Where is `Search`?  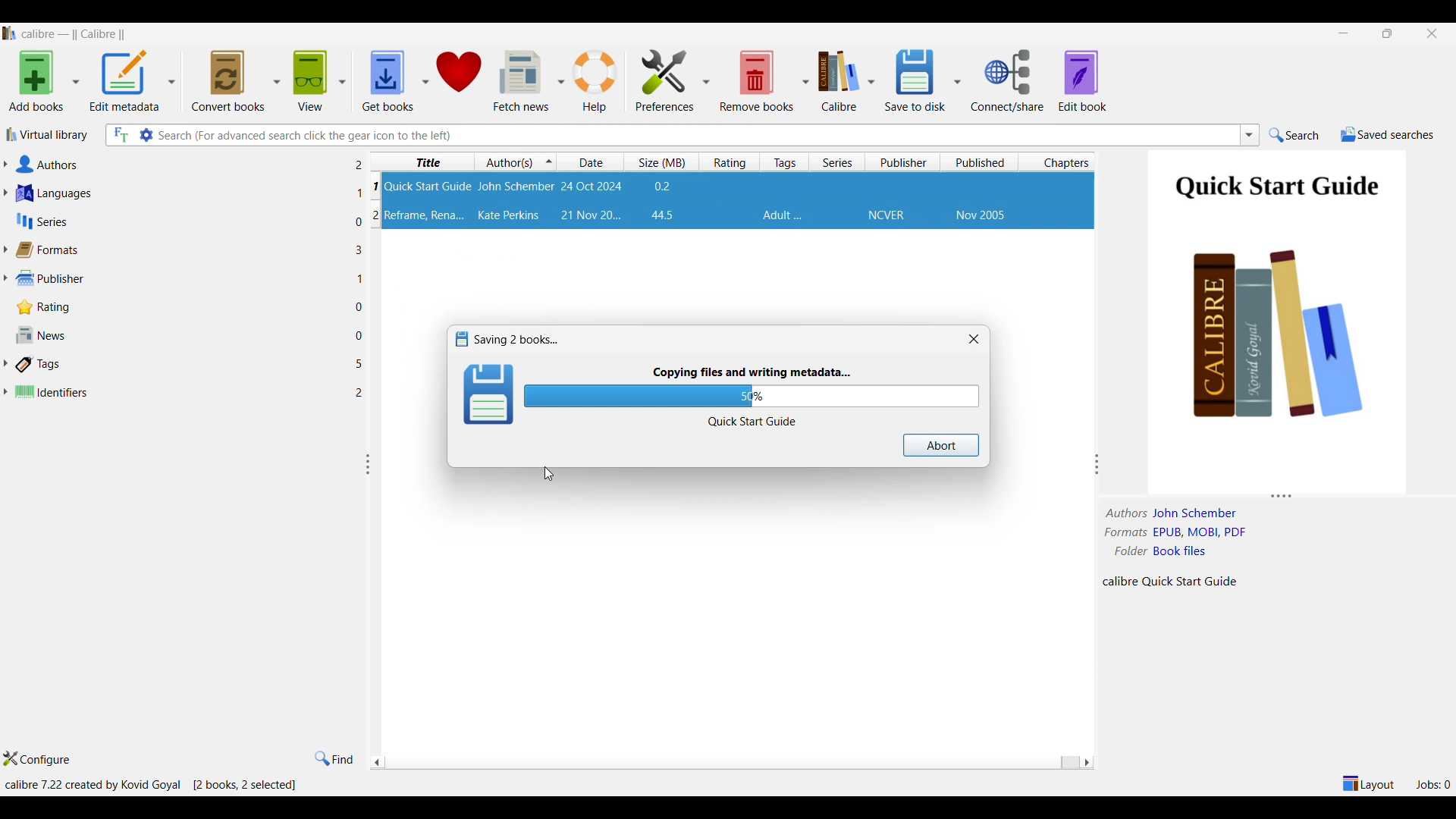
Search is located at coordinates (1294, 135).